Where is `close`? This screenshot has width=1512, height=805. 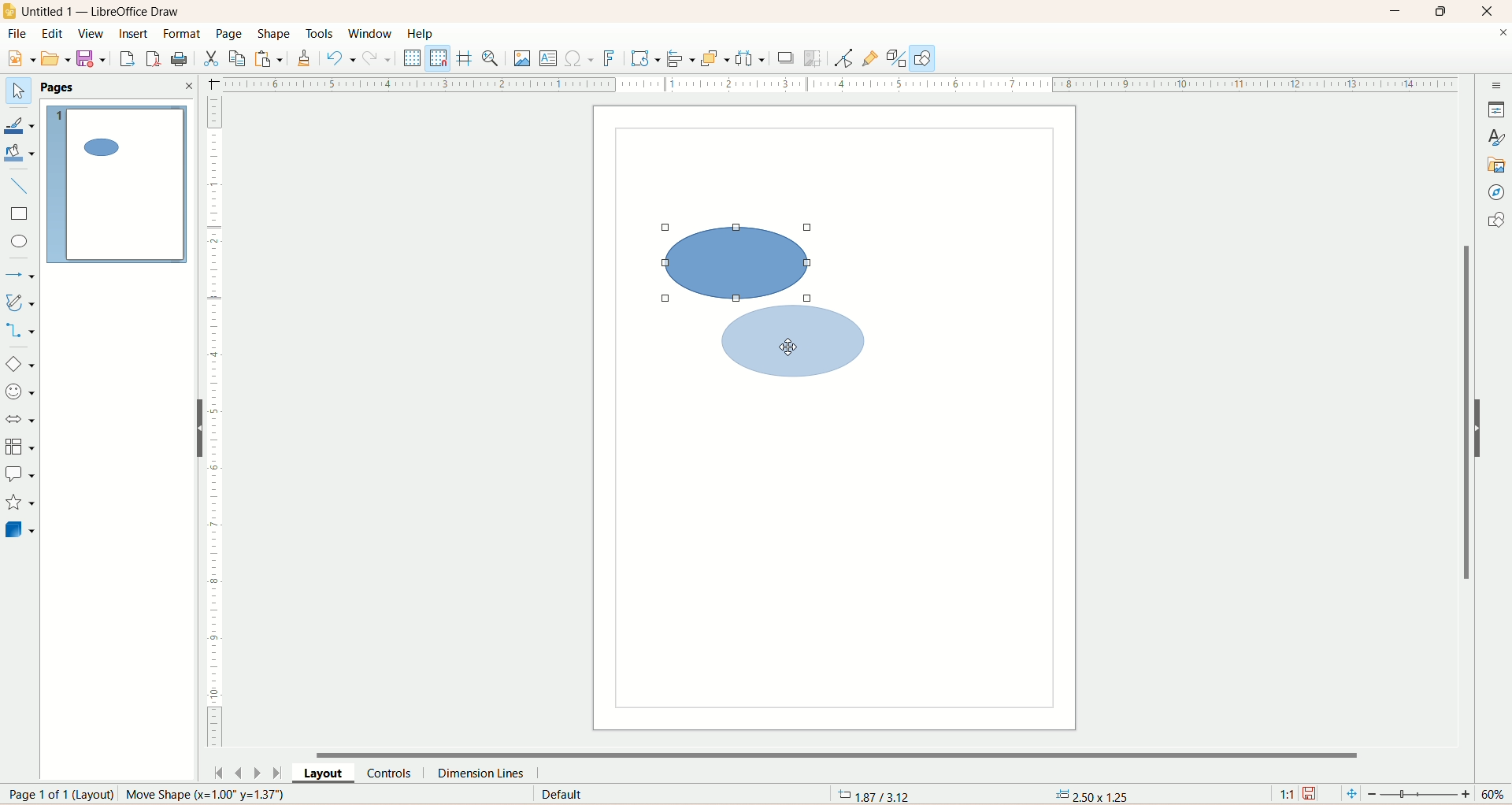
close is located at coordinates (1494, 10).